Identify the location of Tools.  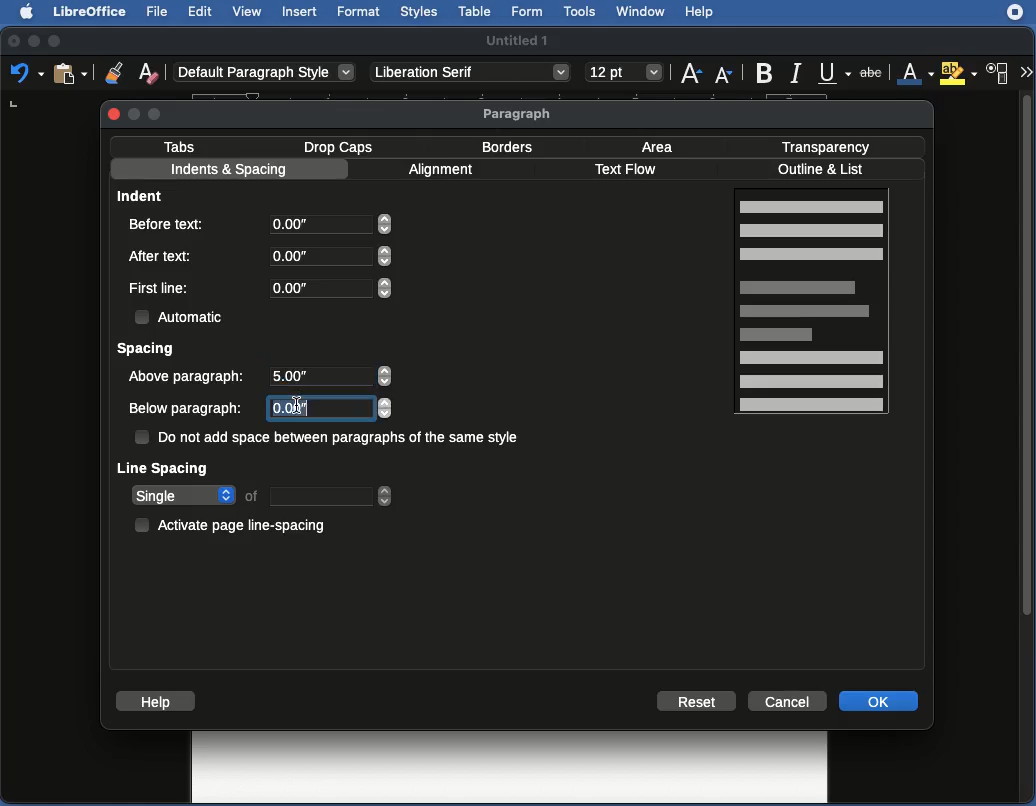
(581, 12).